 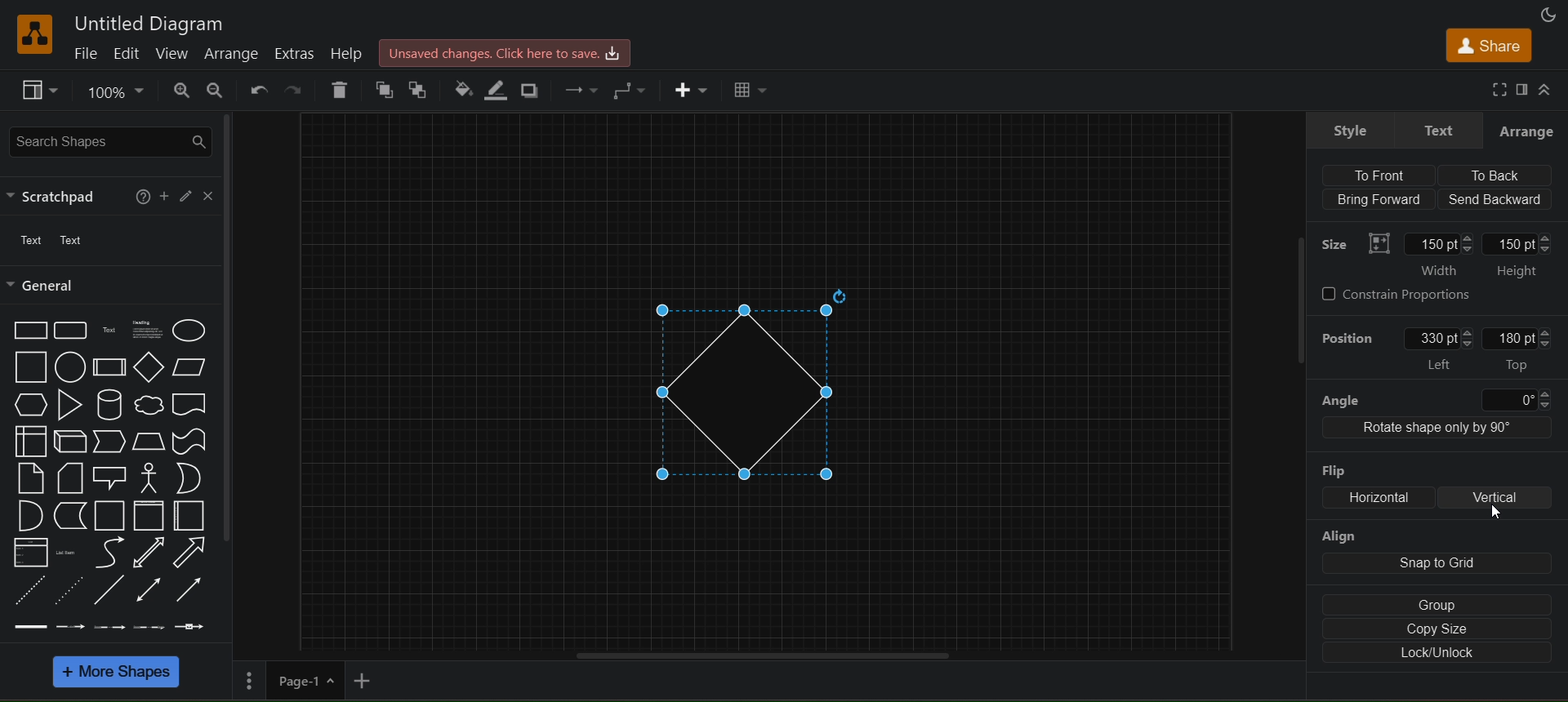 I want to click on step, so click(x=110, y=441).